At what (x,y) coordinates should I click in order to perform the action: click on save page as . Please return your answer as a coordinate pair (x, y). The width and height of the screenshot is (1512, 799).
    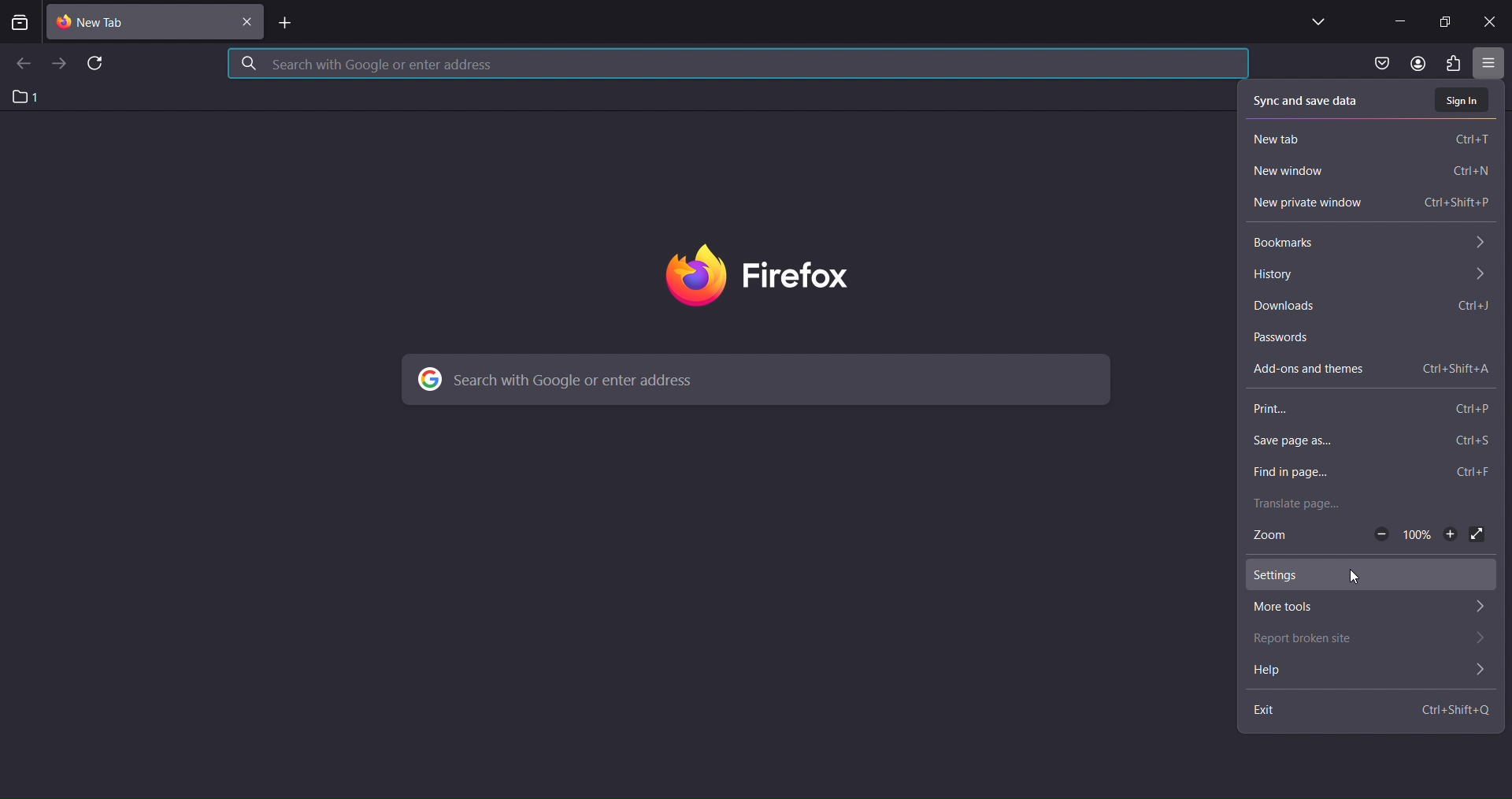
    Looking at the image, I should click on (1363, 443).